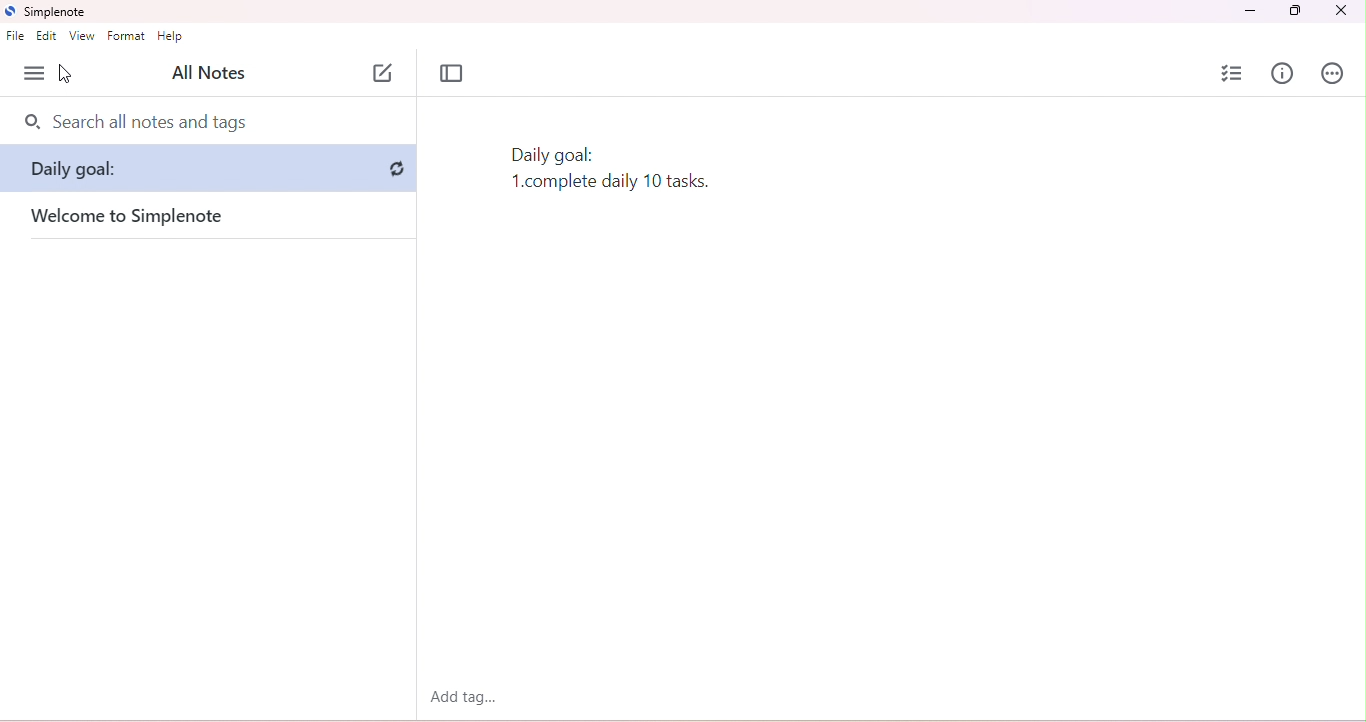  Describe the element at coordinates (459, 695) in the screenshot. I see `add tag` at that location.